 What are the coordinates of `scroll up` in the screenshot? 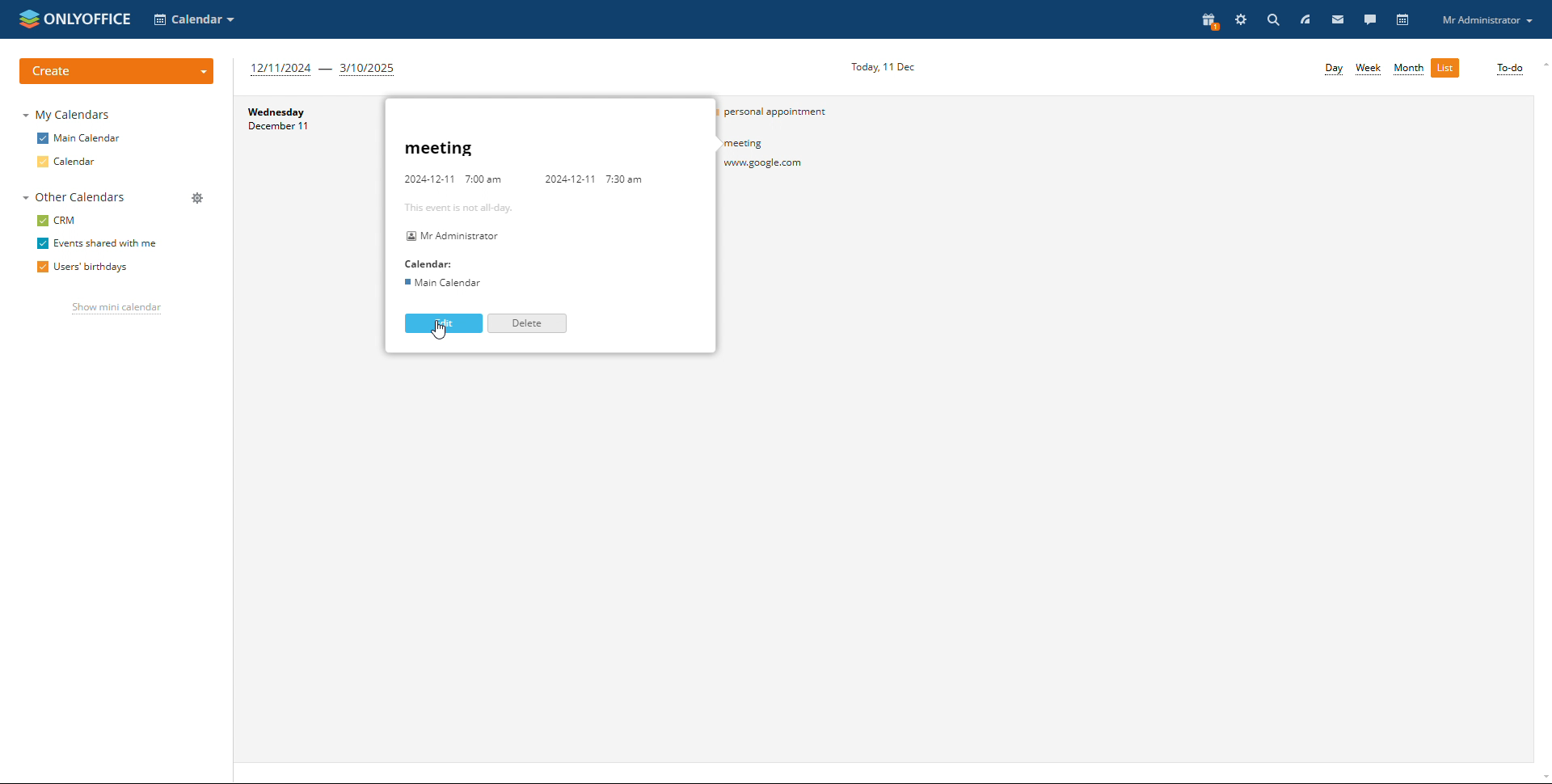 It's located at (1542, 61).